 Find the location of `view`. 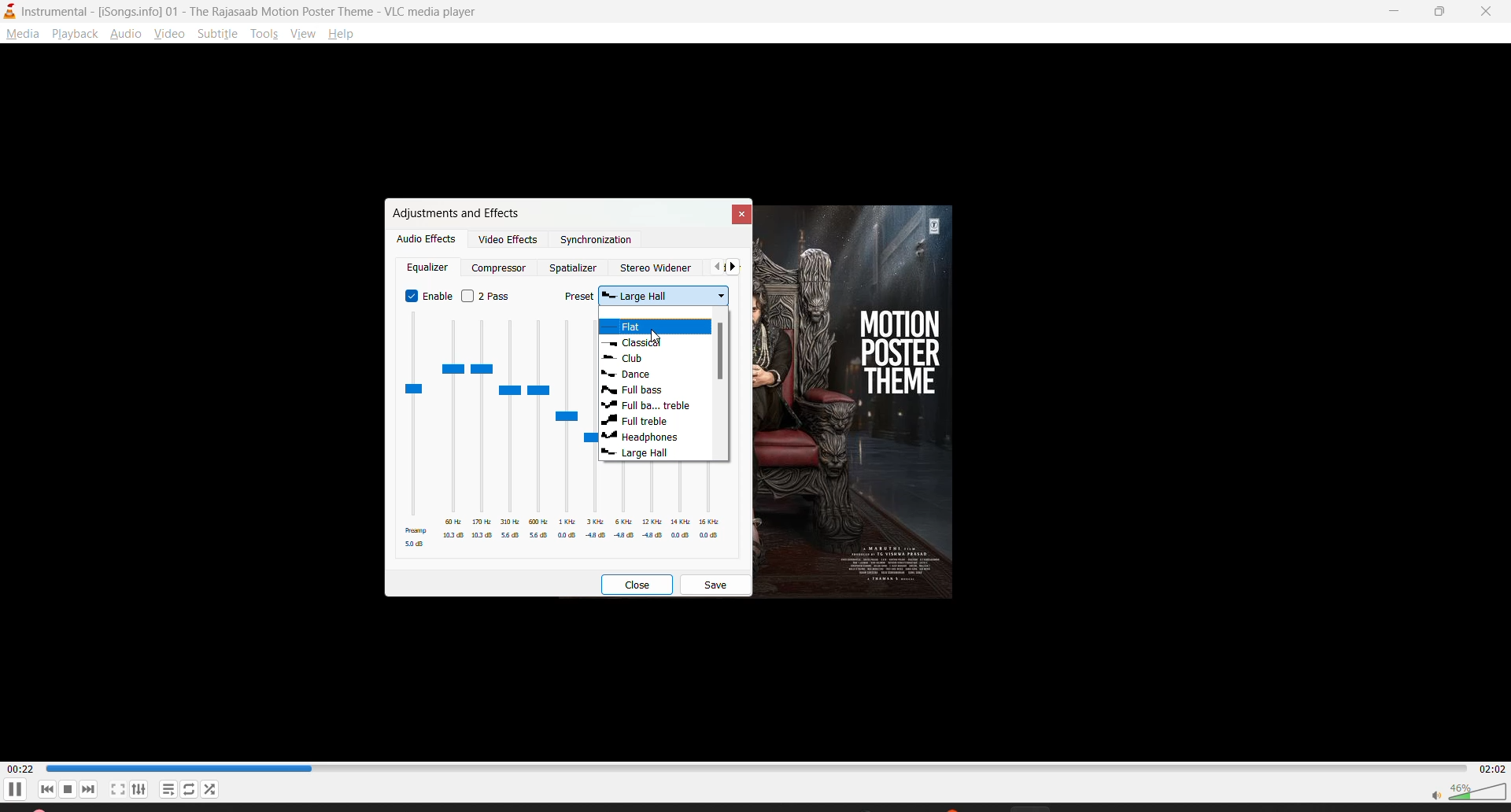

view is located at coordinates (168, 37).